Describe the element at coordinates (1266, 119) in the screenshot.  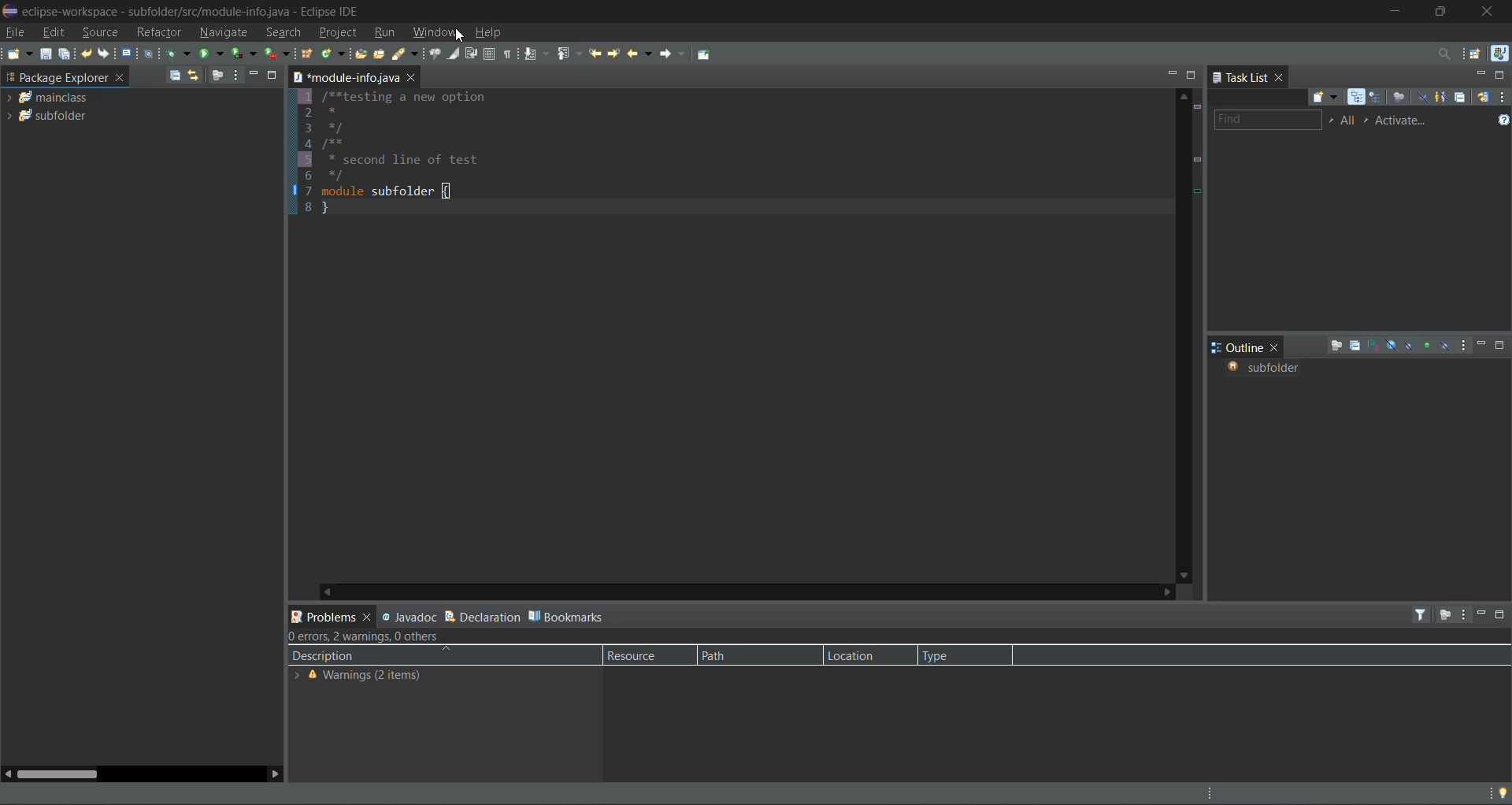
I see `find` at that location.